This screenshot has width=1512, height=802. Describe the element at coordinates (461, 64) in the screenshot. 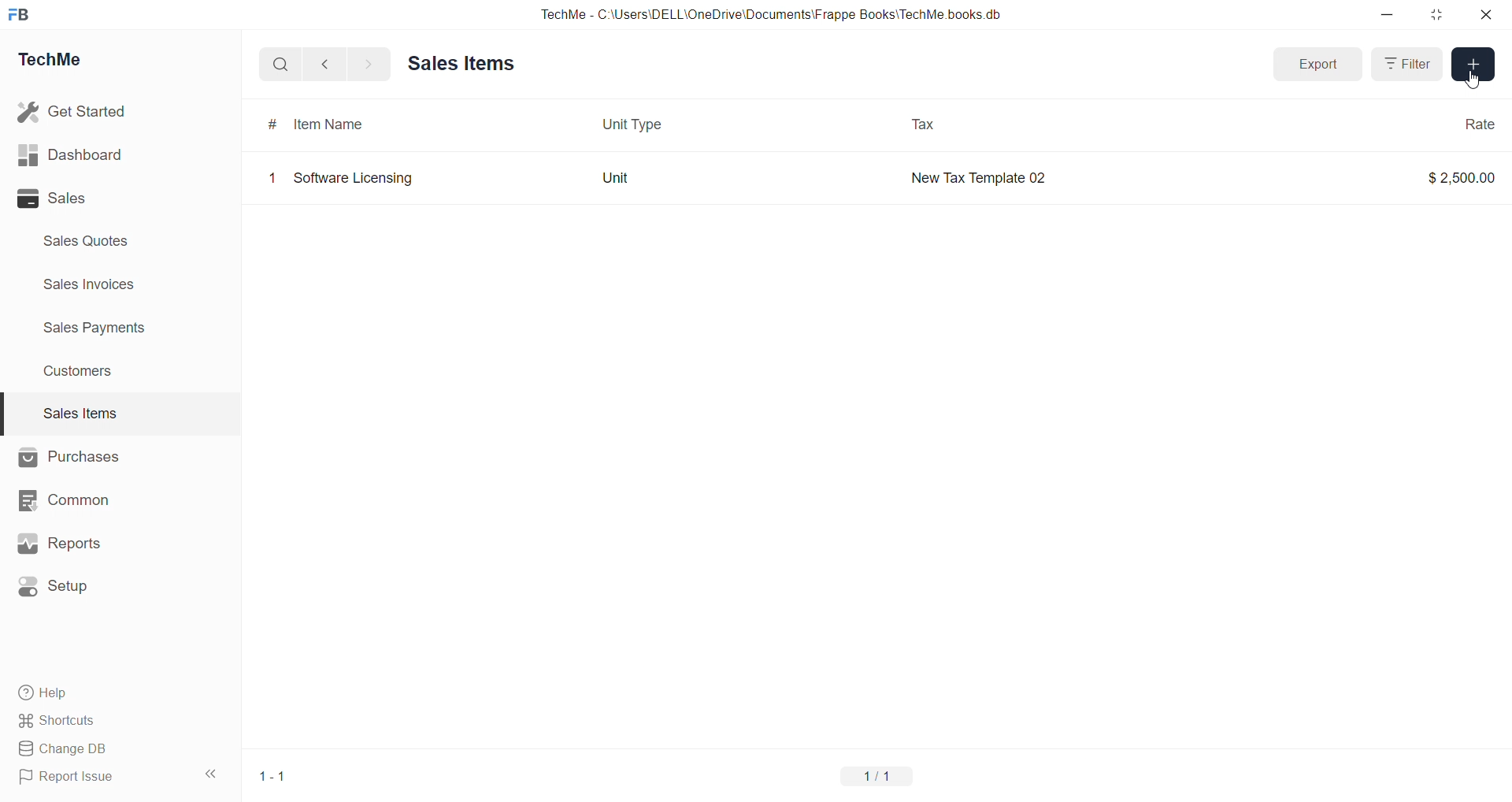

I see `Sales items` at that location.